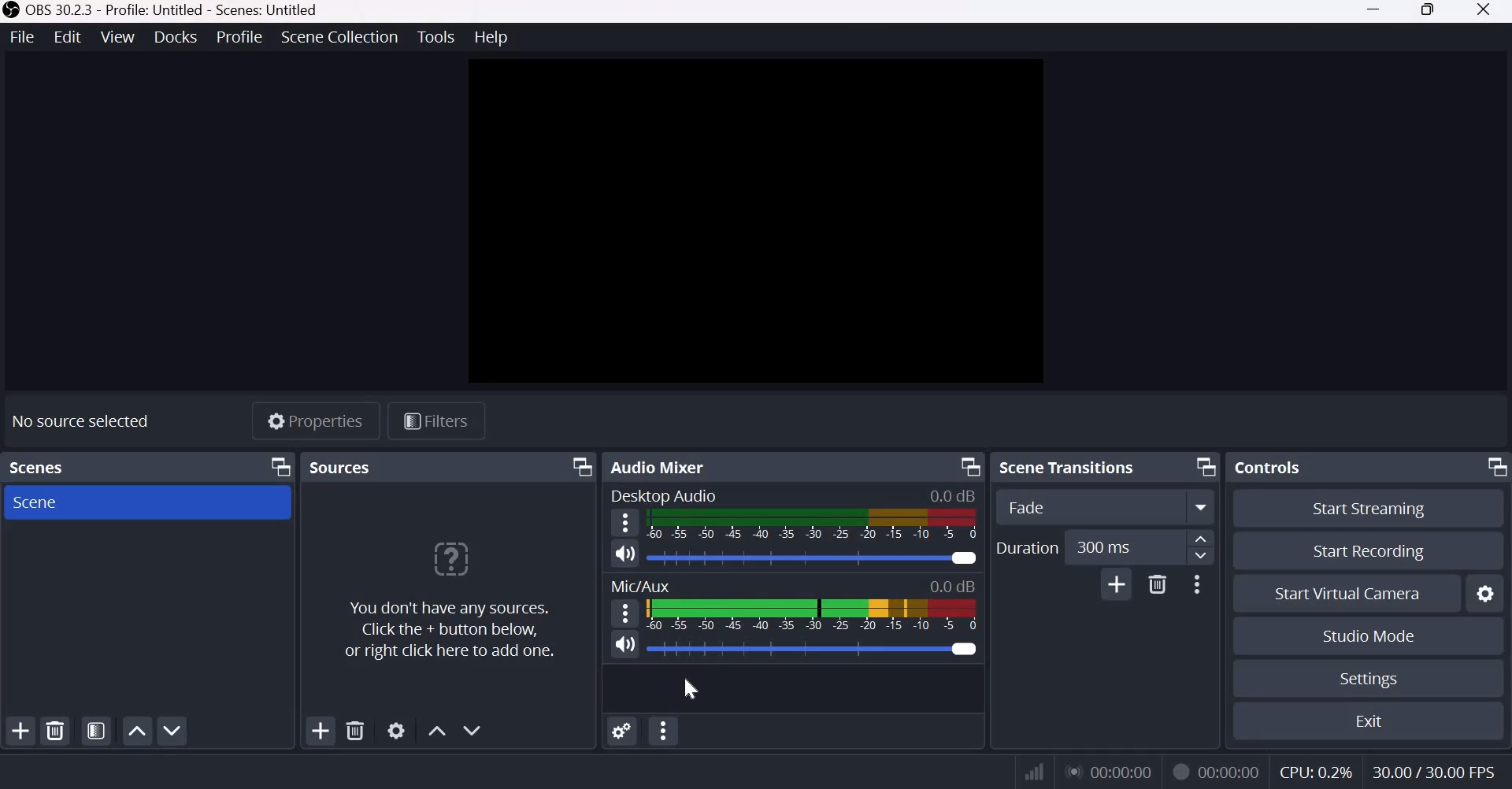 The width and height of the screenshot is (1512, 789). Describe the element at coordinates (622, 555) in the screenshot. I see `enabled desktop audio` at that location.